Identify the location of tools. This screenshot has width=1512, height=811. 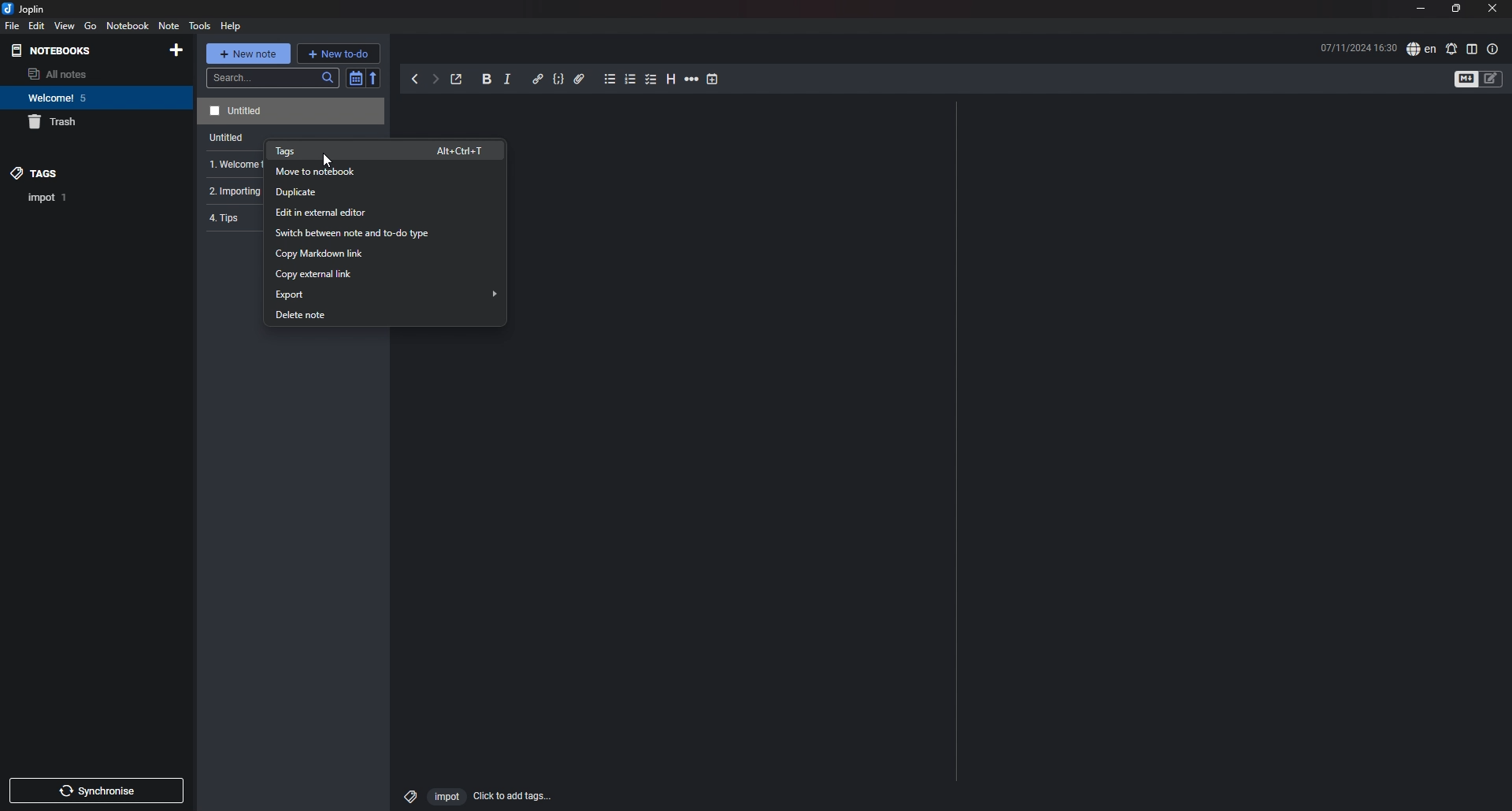
(198, 26).